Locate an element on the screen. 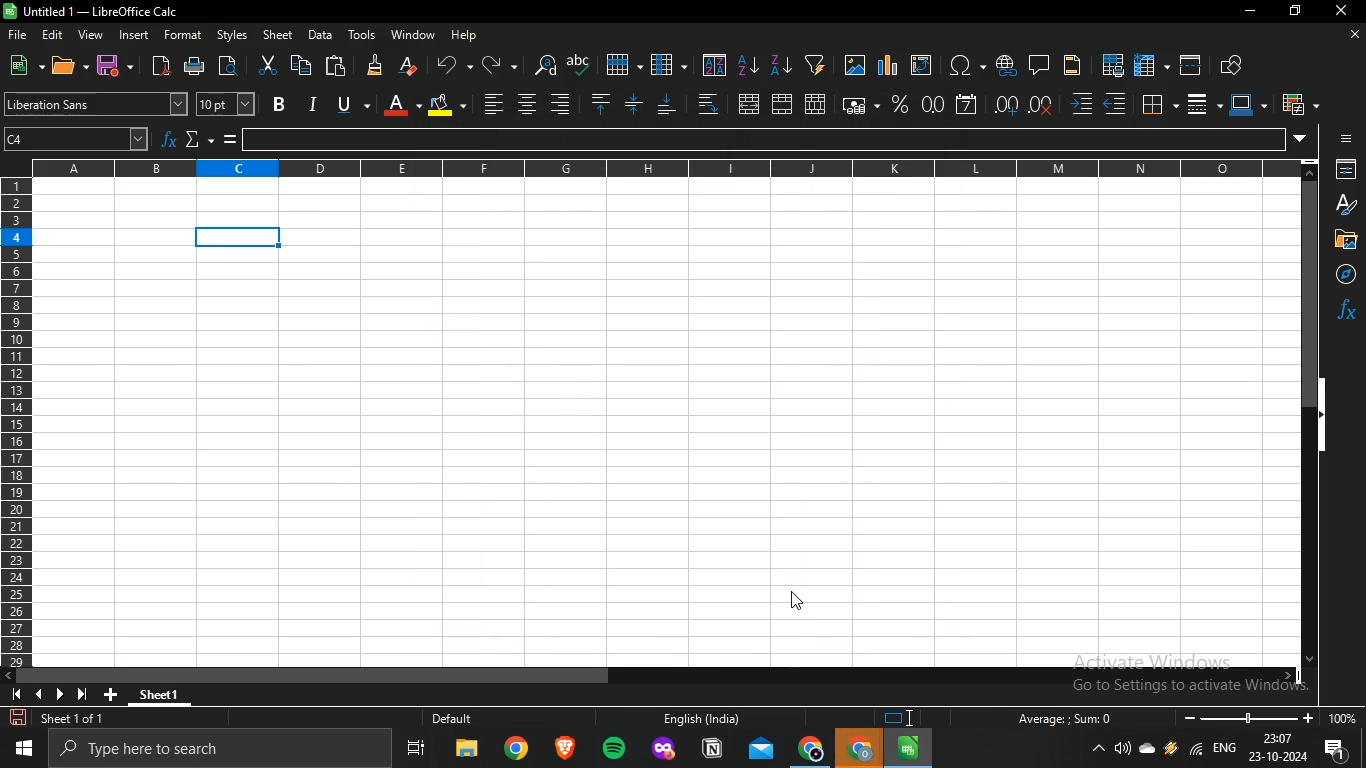 The height and width of the screenshot is (768, 1366). define print area is located at coordinates (1113, 64).